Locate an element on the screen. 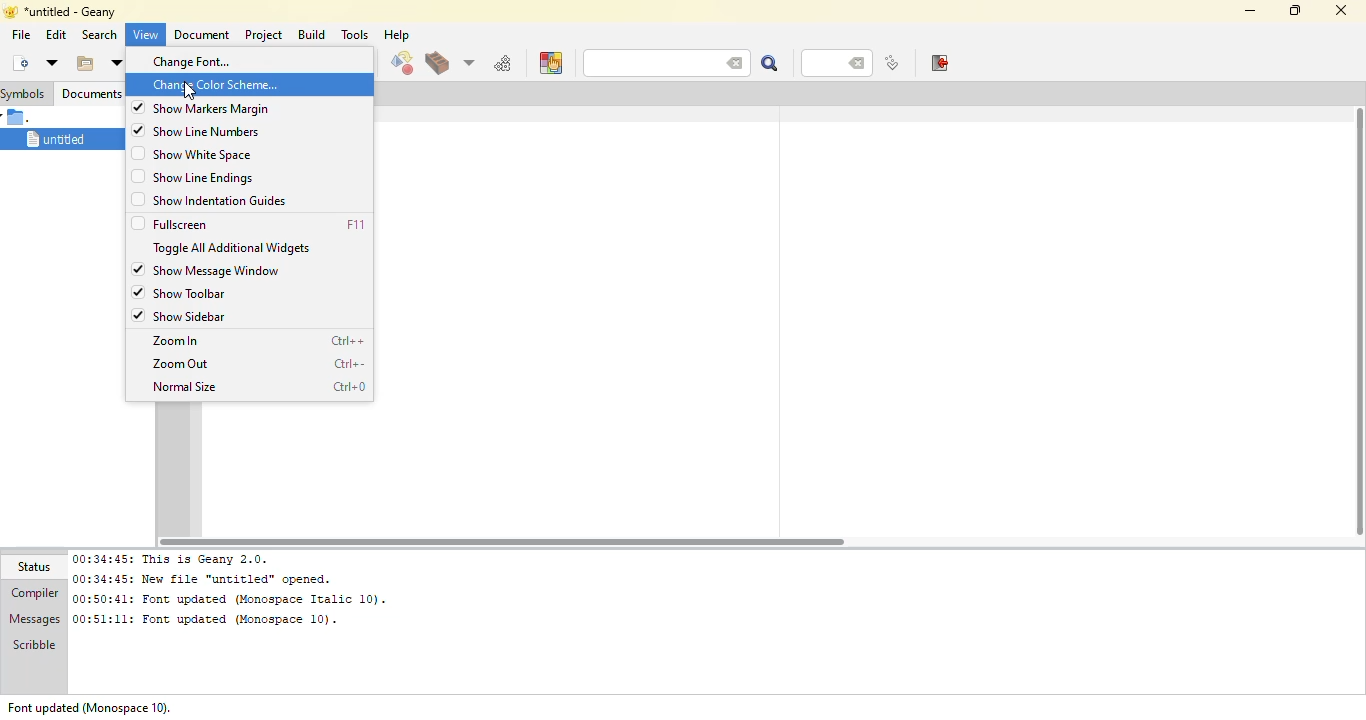 The image size is (1366, 720). choose more is located at coordinates (467, 62).